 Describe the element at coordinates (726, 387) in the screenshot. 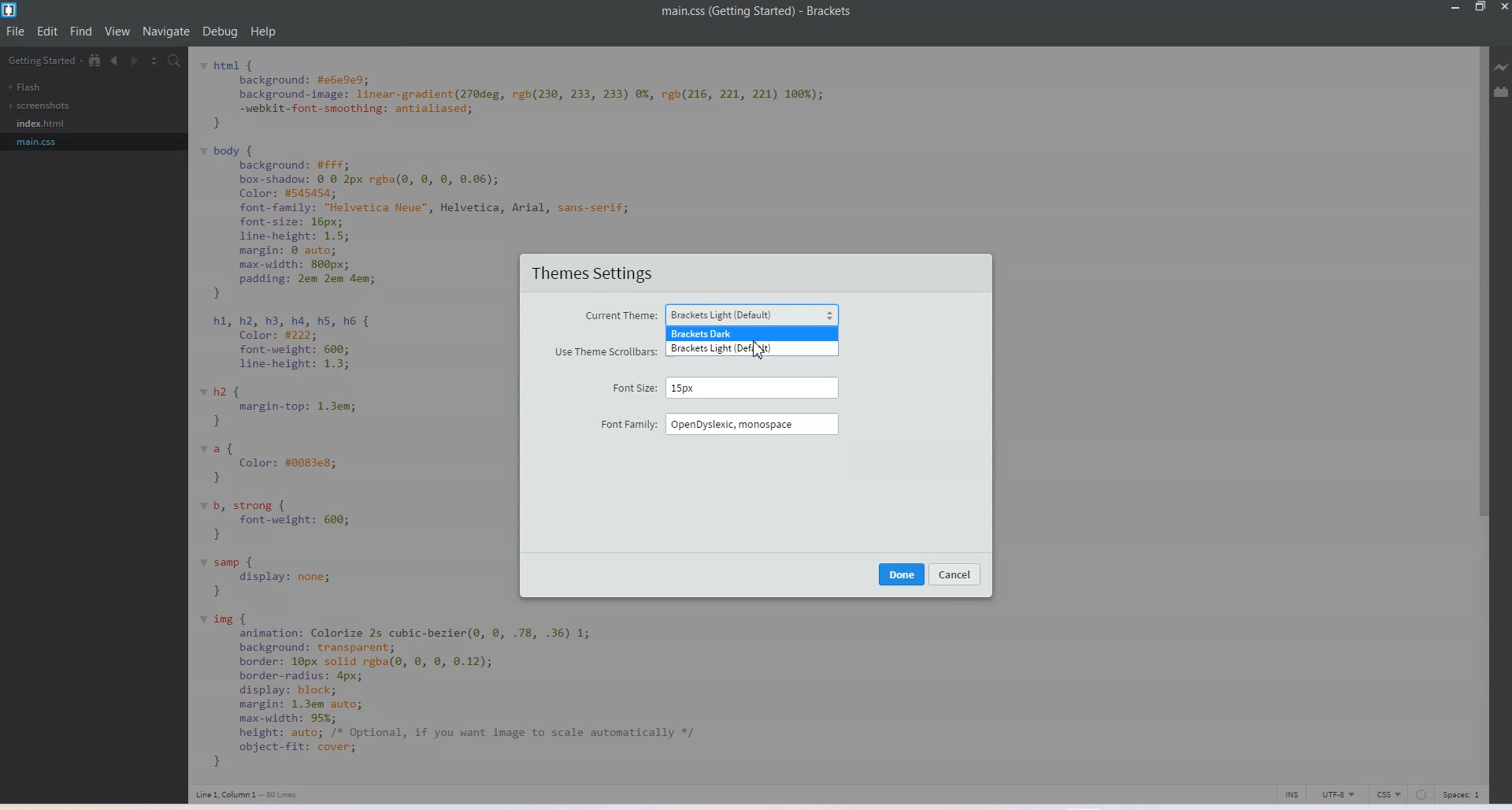

I see `Font Size` at that location.